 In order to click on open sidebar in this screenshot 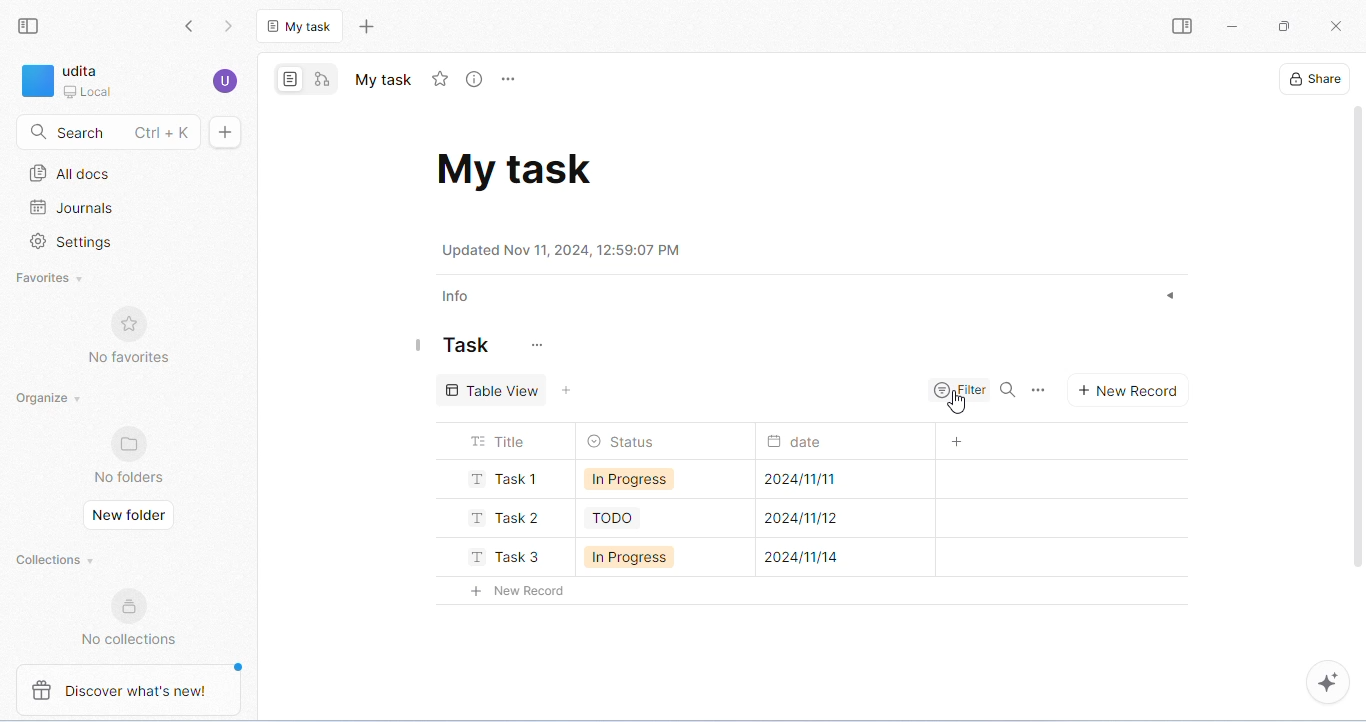, I will do `click(1181, 27)`.